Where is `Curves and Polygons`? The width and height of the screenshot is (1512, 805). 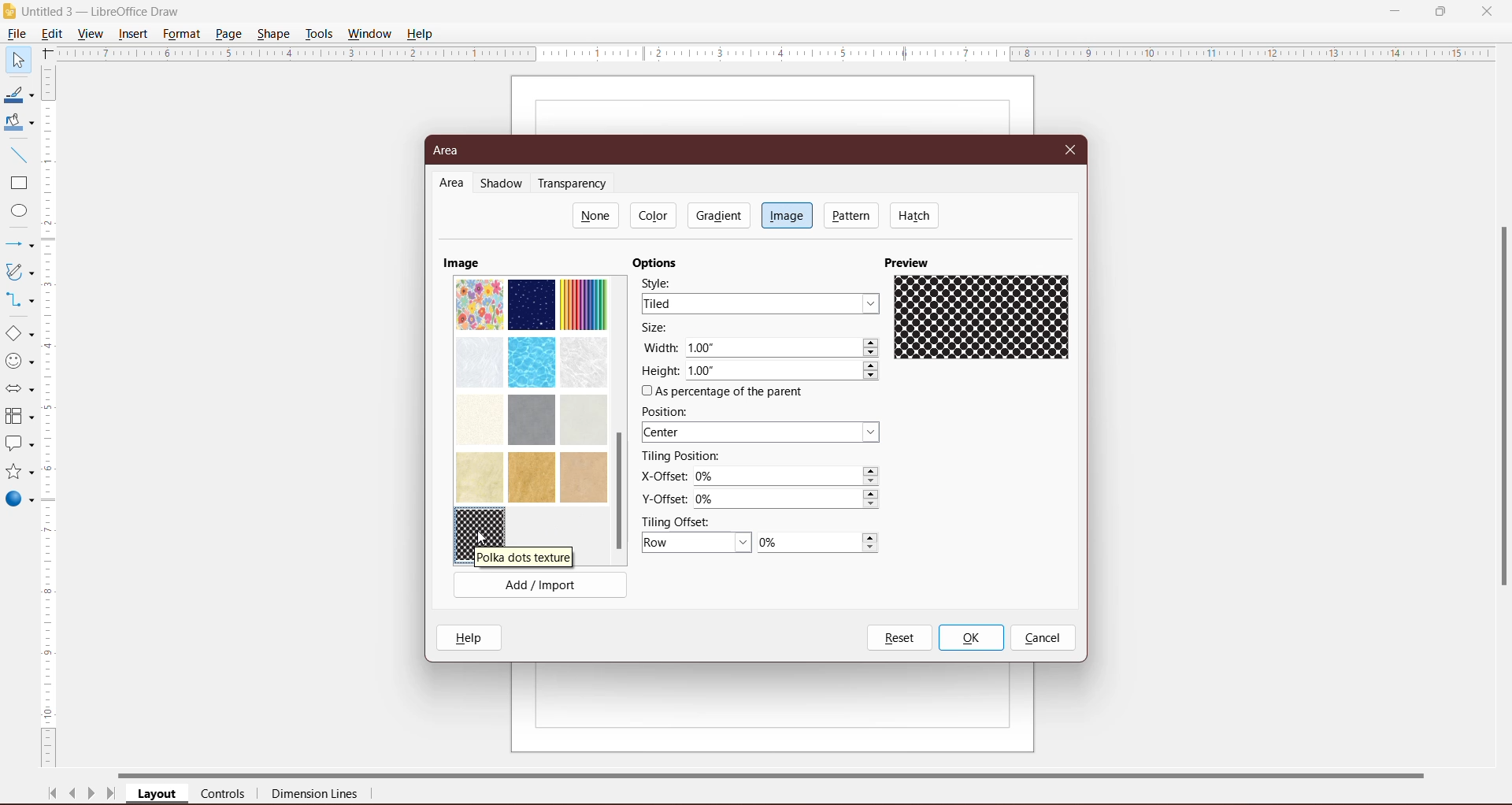
Curves and Polygons is located at coordinates (18, 271).